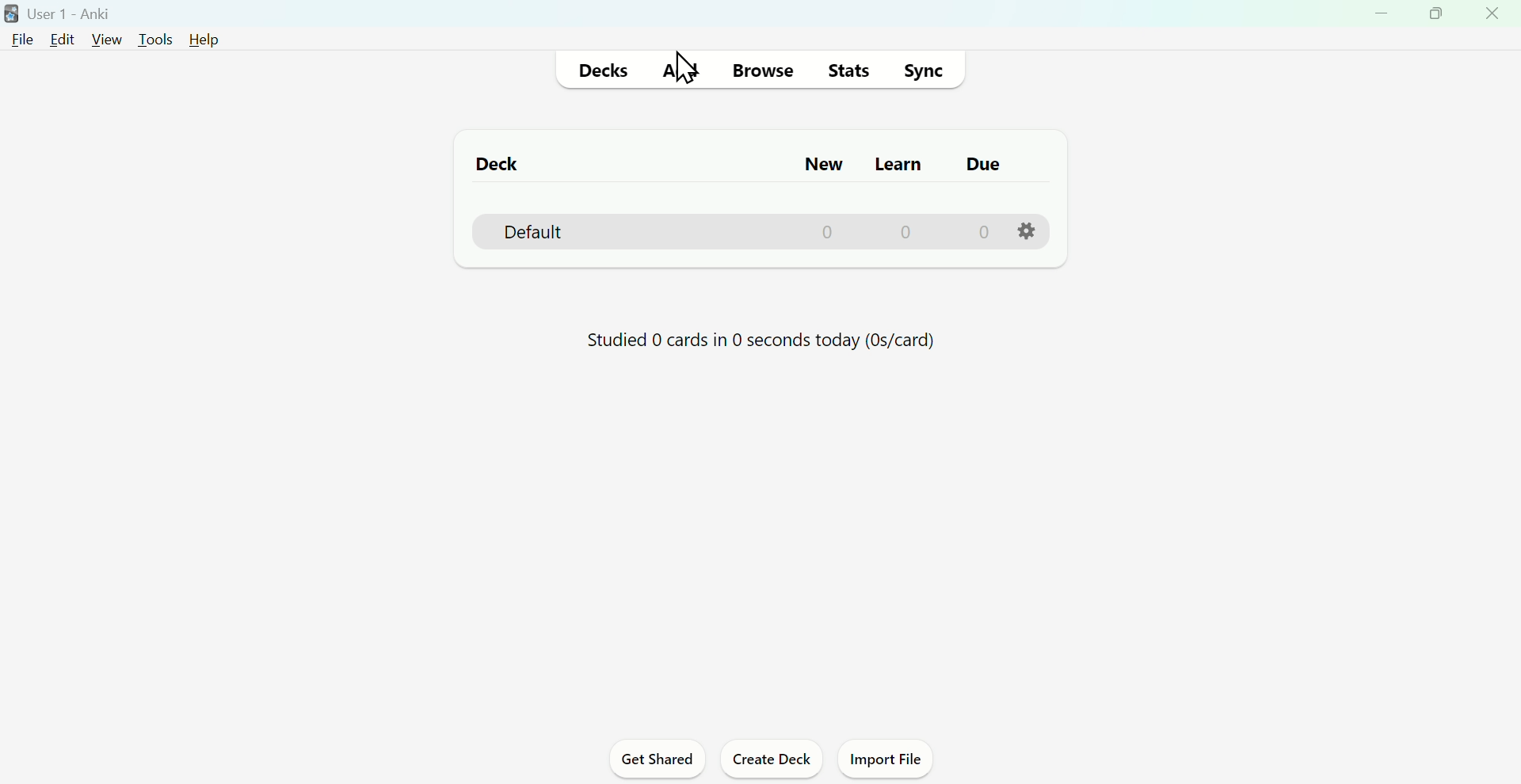 This screenshot has width=1521, height=784. I want to click on Default , so click(757, 232).